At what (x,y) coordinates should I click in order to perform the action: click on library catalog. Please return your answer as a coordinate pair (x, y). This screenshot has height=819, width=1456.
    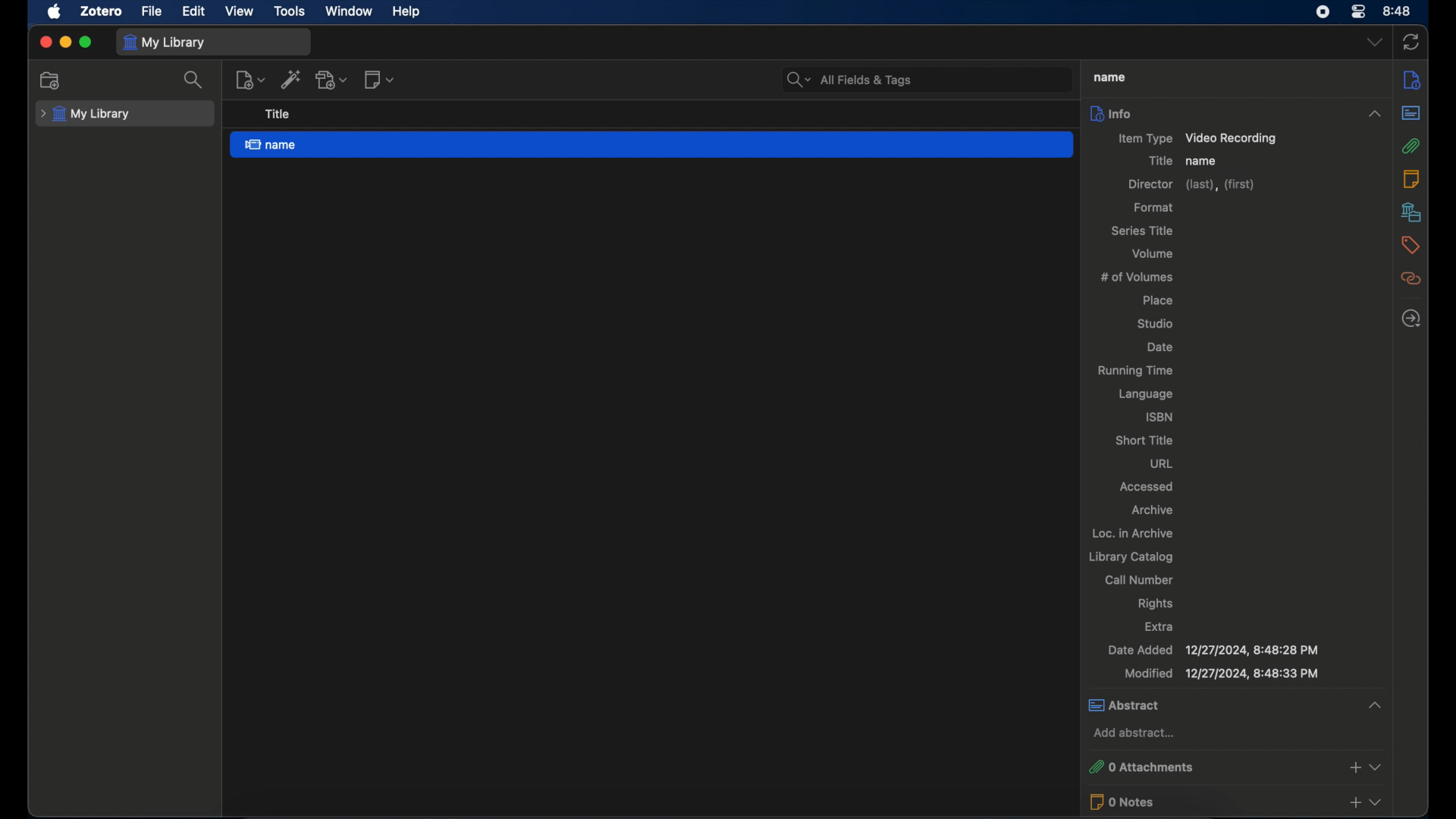
    Looking at the image, I should click on (1134, 557).